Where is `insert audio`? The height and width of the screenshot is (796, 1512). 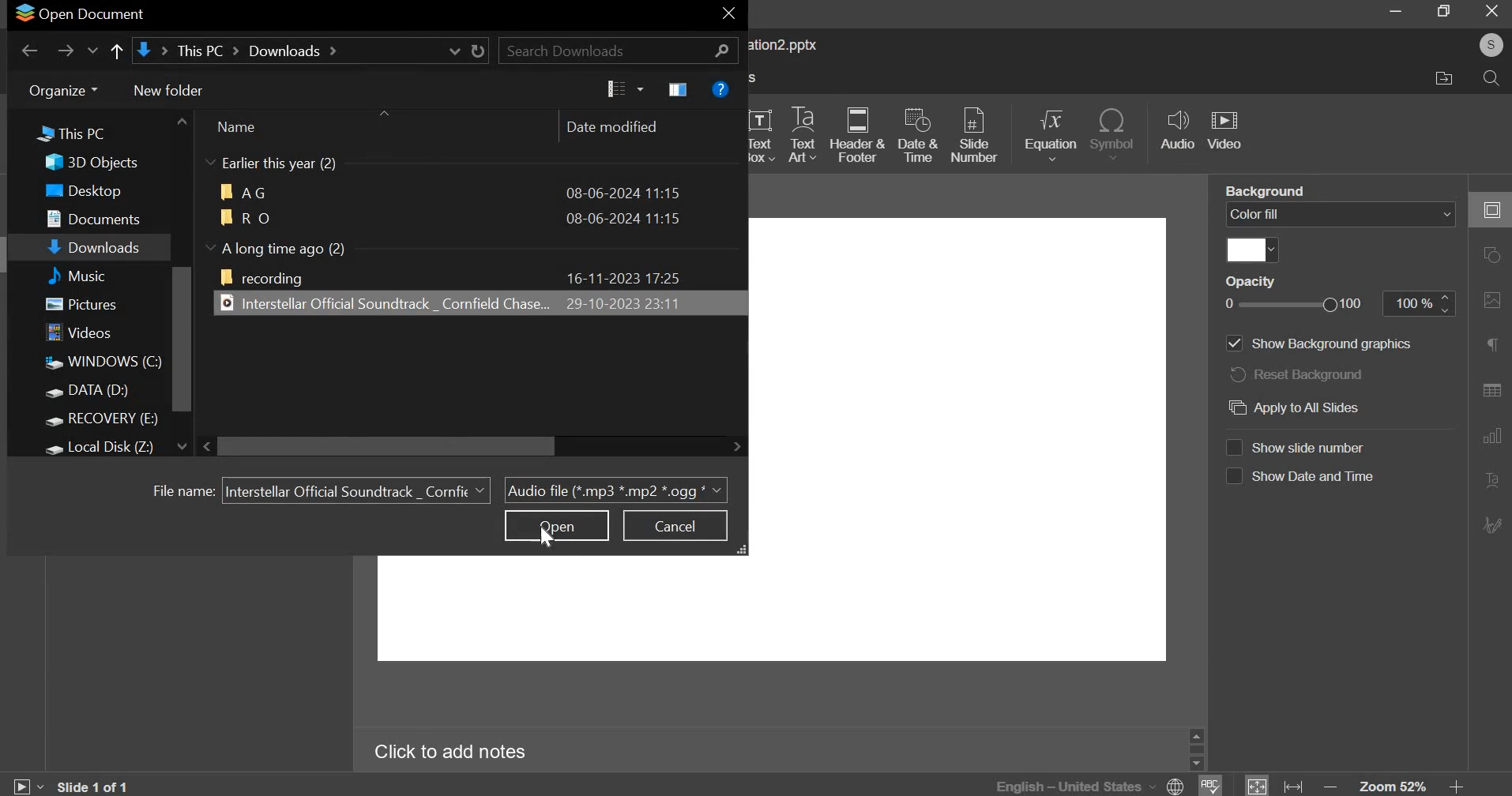 insert audio is located at coordinates (1179, 132).